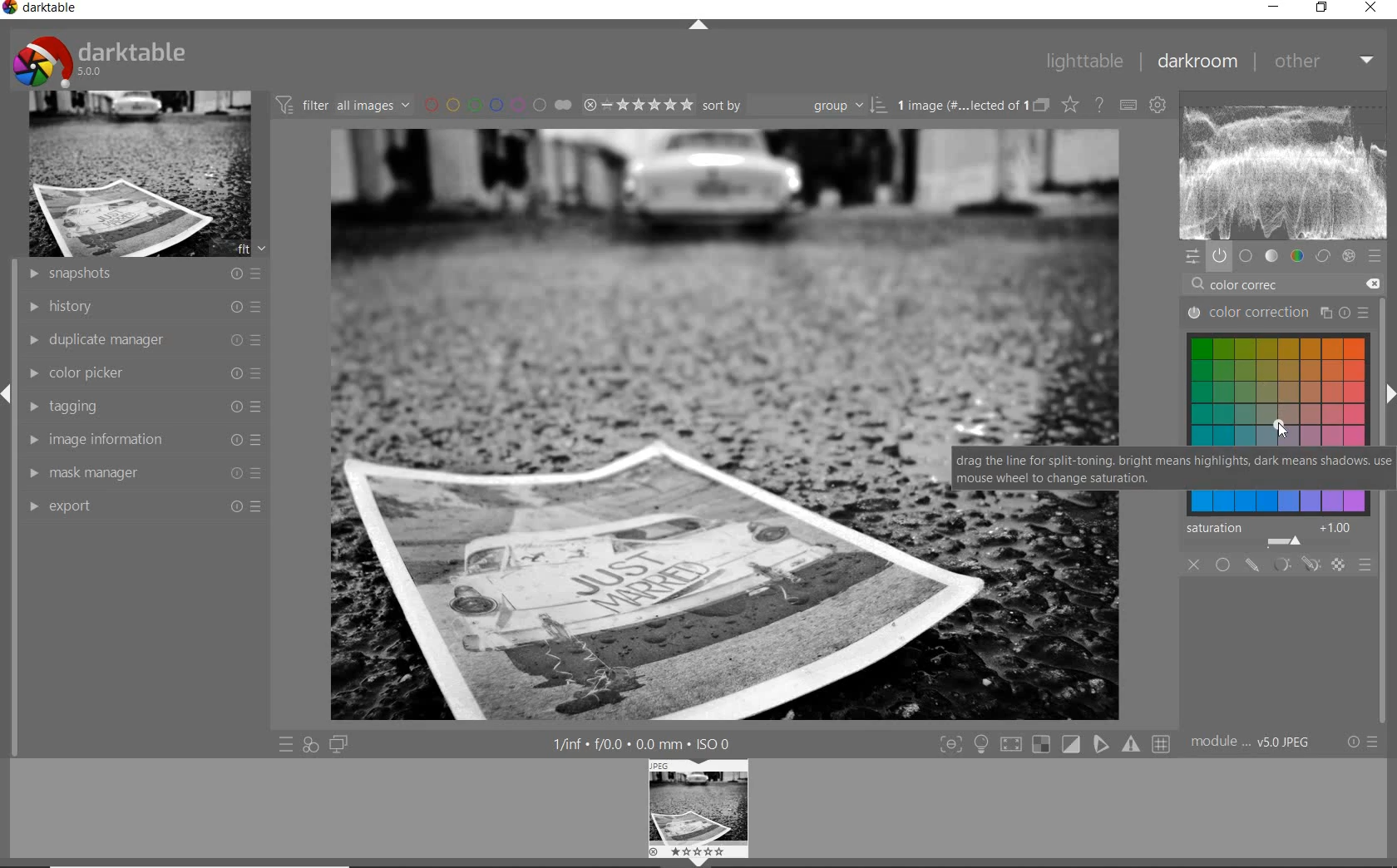  I want to click on image, so click(140, 175).